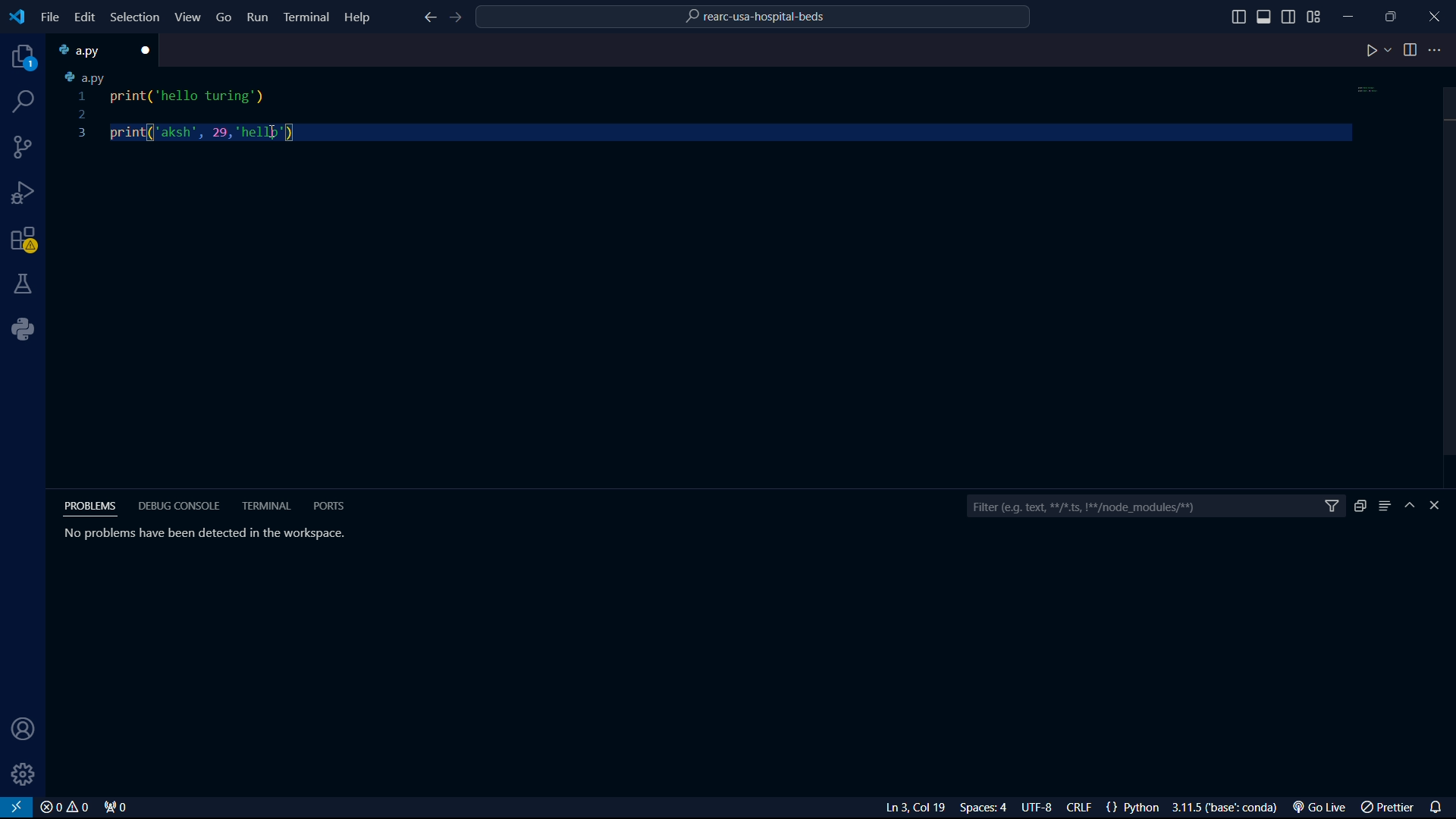  What do you see at coordinates (149, 50) in the screenshot?
I see `close` at bounding box center [149, 50].